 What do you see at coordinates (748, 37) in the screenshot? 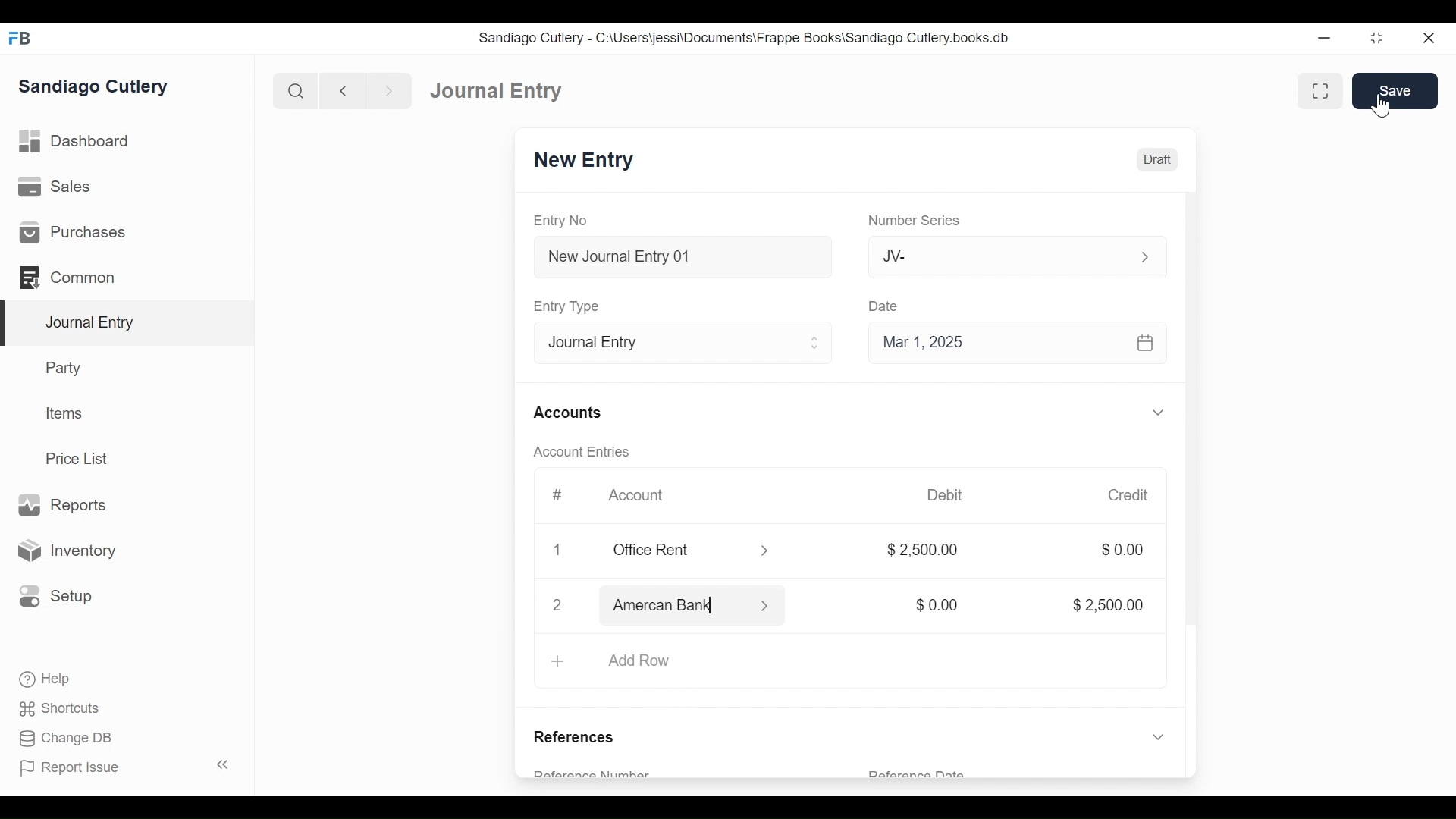
I see `Sandiago Cutlery - C:\Users\jessi\Documents\Frappe Books\Sandiago Cutlery.books.db` at bounding box center [748, 37].